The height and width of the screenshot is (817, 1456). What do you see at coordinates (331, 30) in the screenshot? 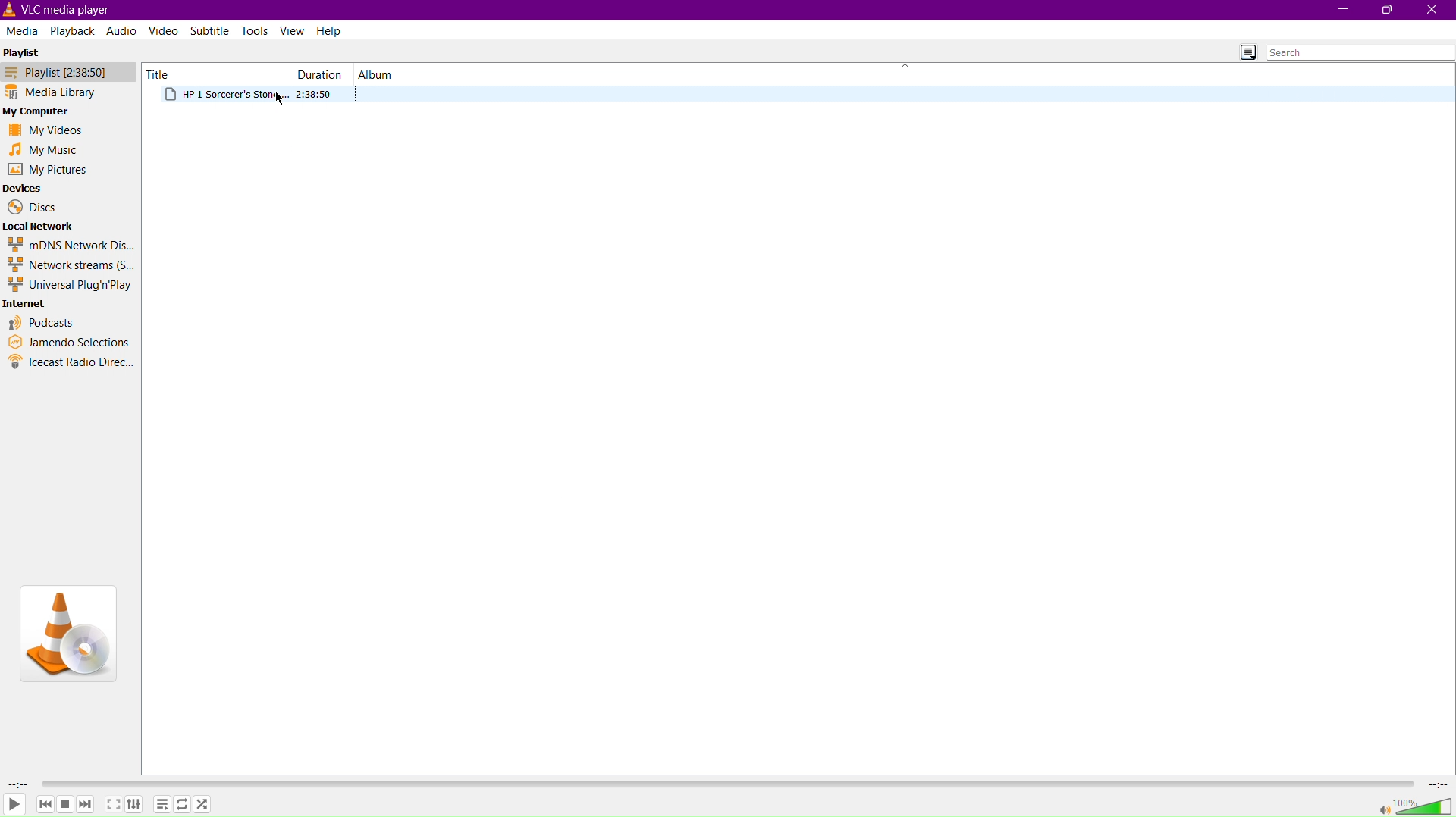
I see `Help` at bounding box center [331, 30].